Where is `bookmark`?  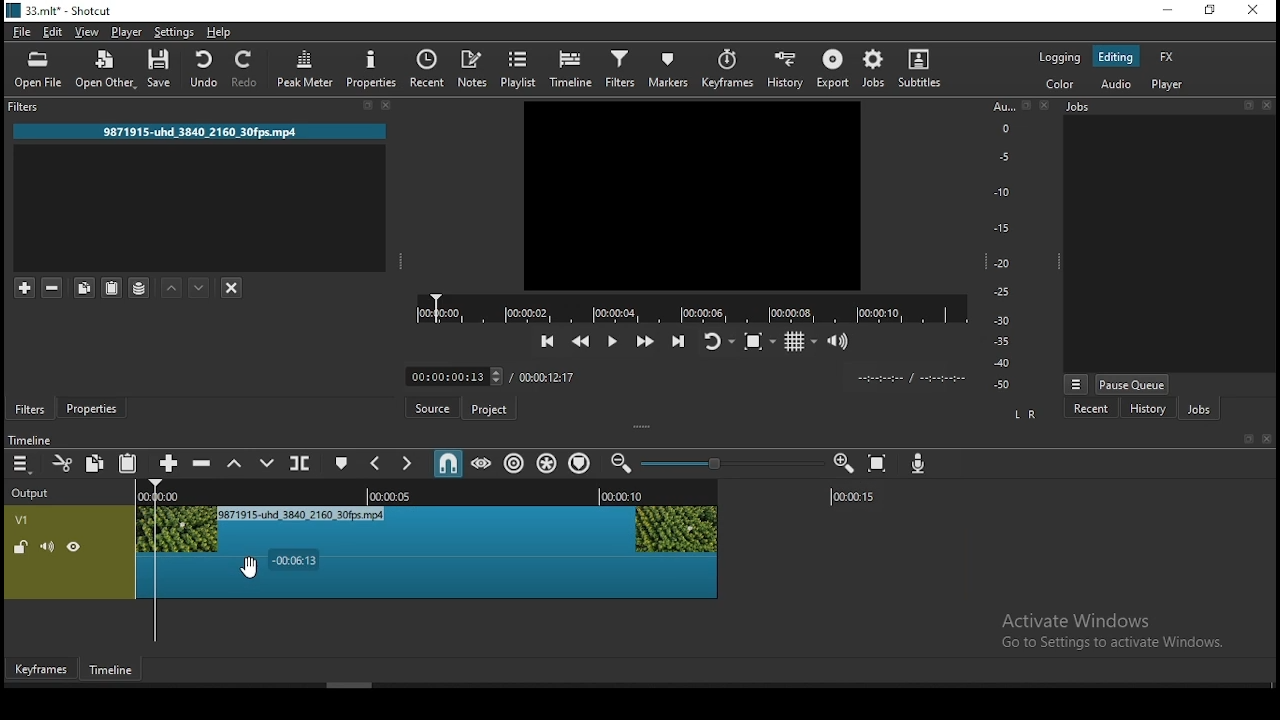
bookmark is located at coordinates (1024, 106).